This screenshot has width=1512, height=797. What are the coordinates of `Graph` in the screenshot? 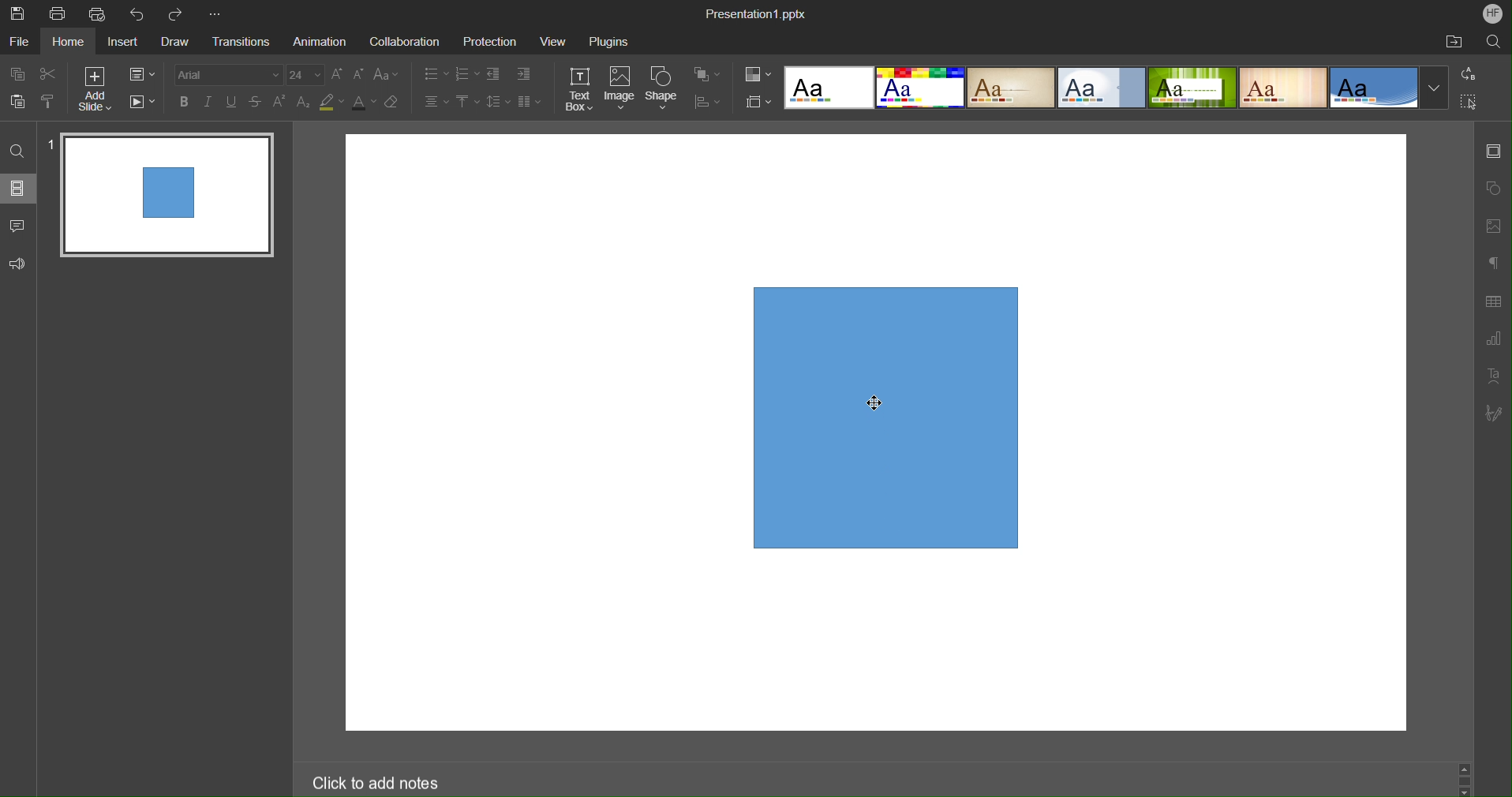 It's located at (1493, 341).